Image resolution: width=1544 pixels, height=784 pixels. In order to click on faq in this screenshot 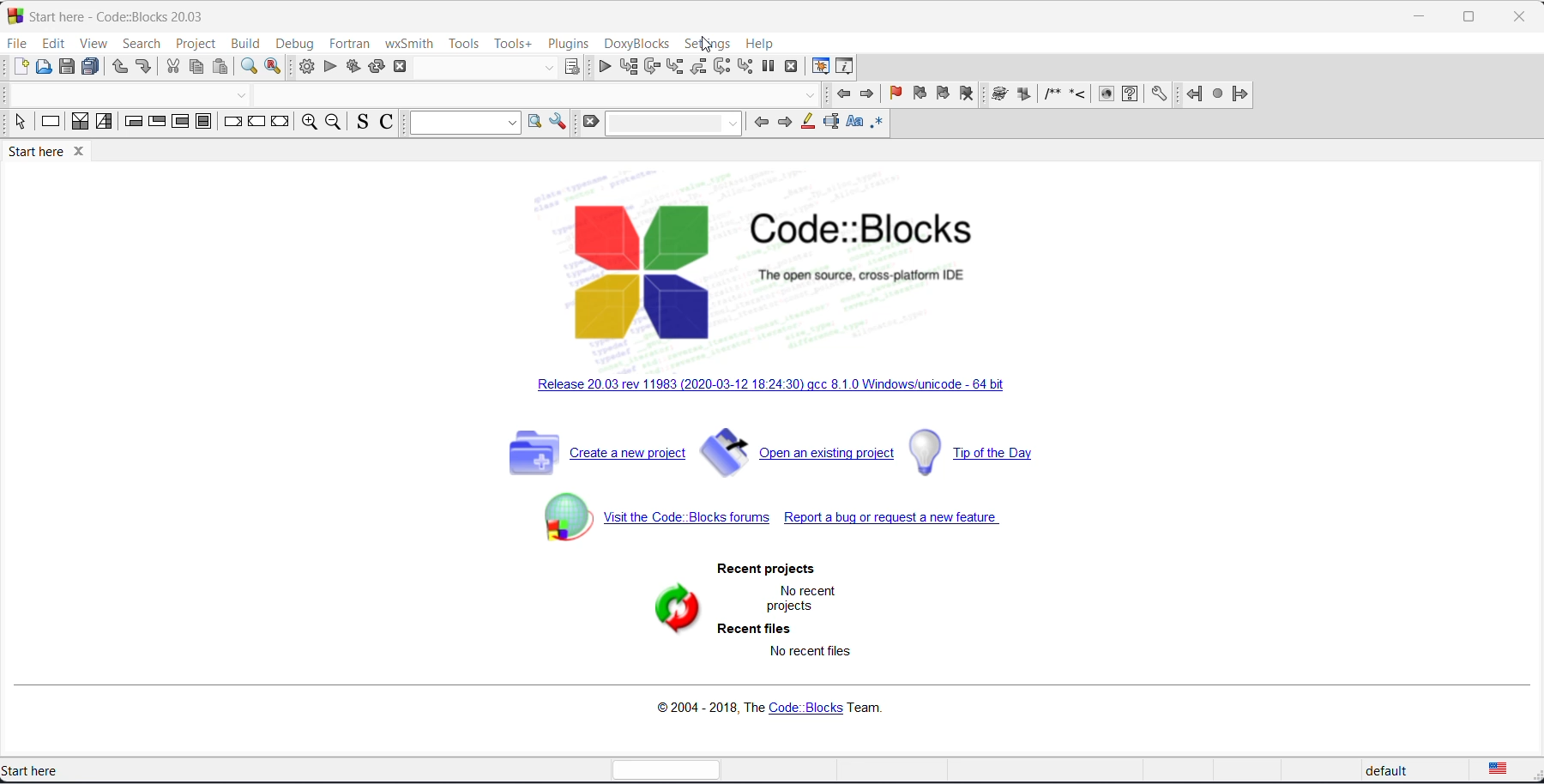, I will do `click(1131, 93)`.